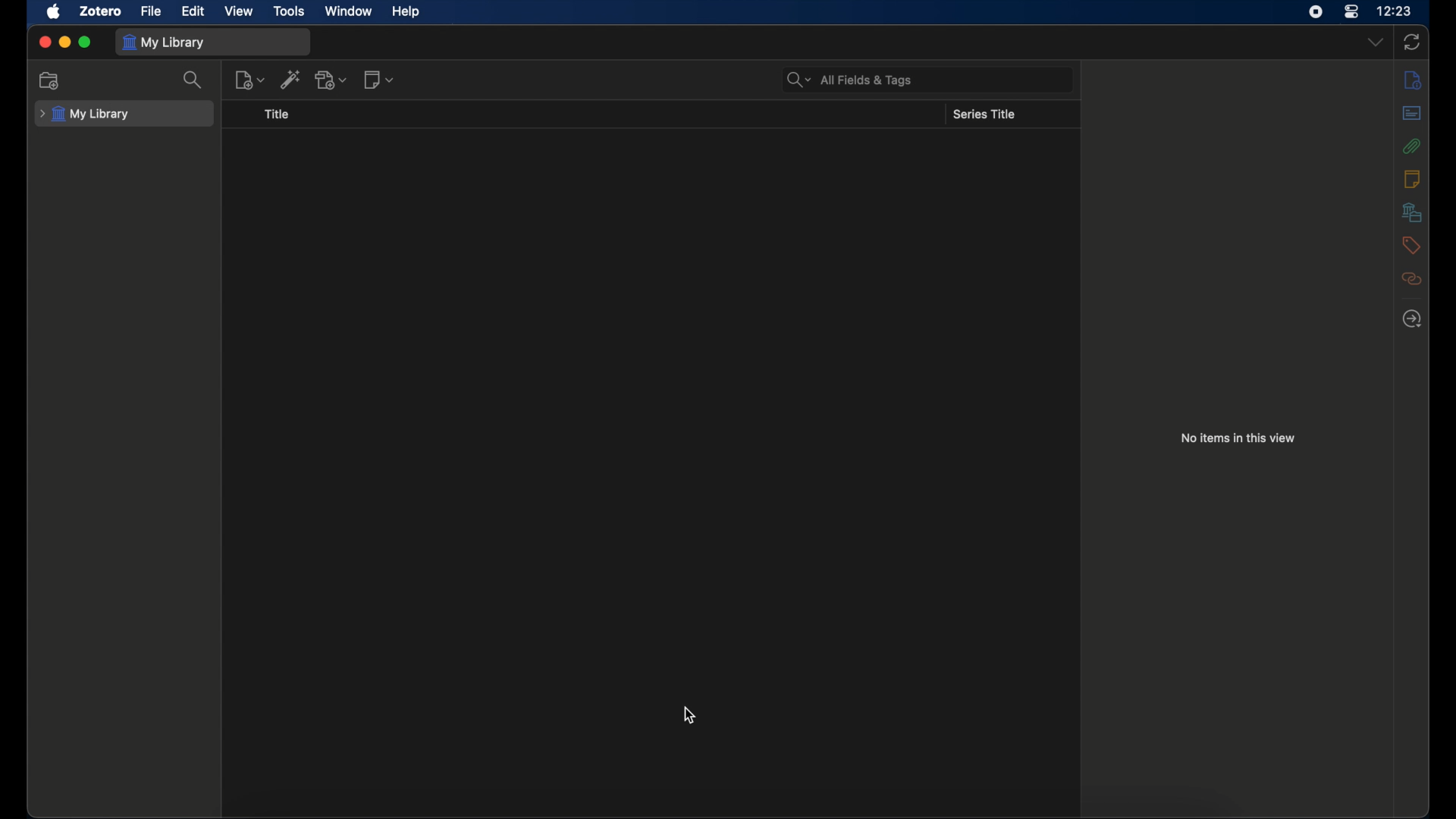 The height and width of the screenshot is (819, 1456). I want to click on file, so click(152, 12).